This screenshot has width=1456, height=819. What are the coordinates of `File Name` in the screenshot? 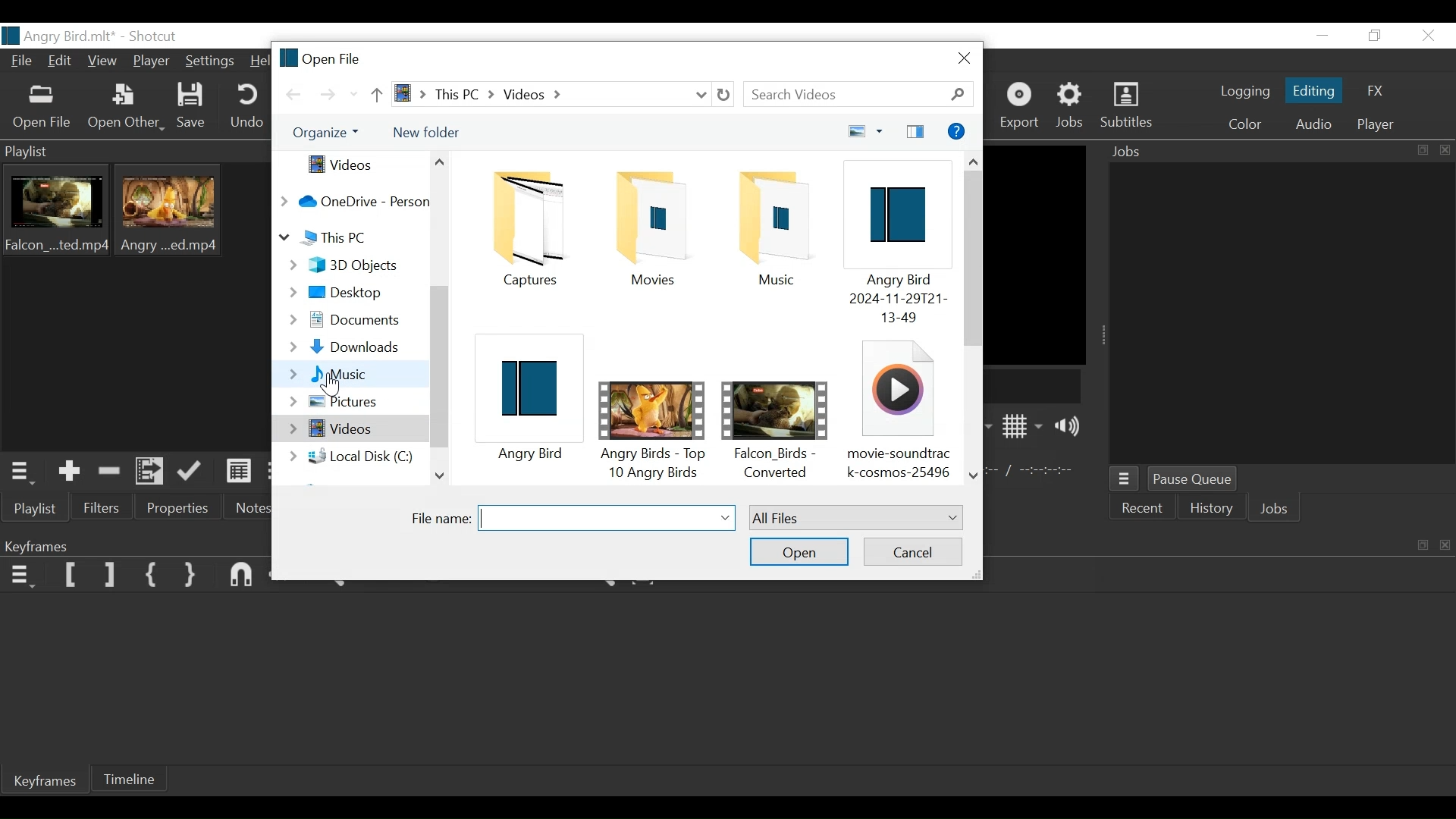 It's located at (59, 35).